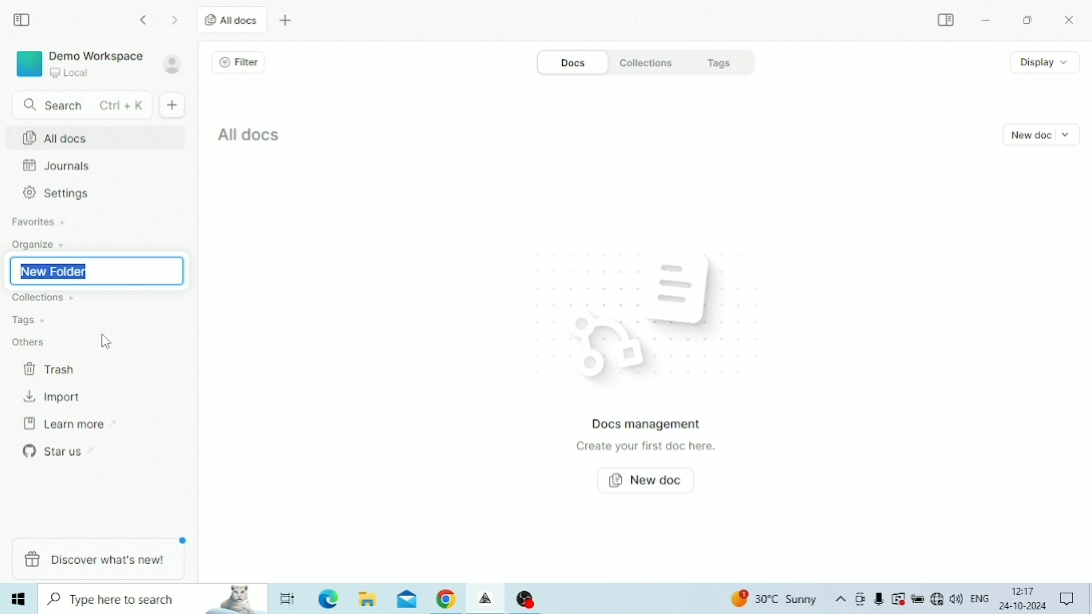  What do you see at coordinates (146, 20) in the screenshot?
I see `Go back` at bounding box center [146, 20].